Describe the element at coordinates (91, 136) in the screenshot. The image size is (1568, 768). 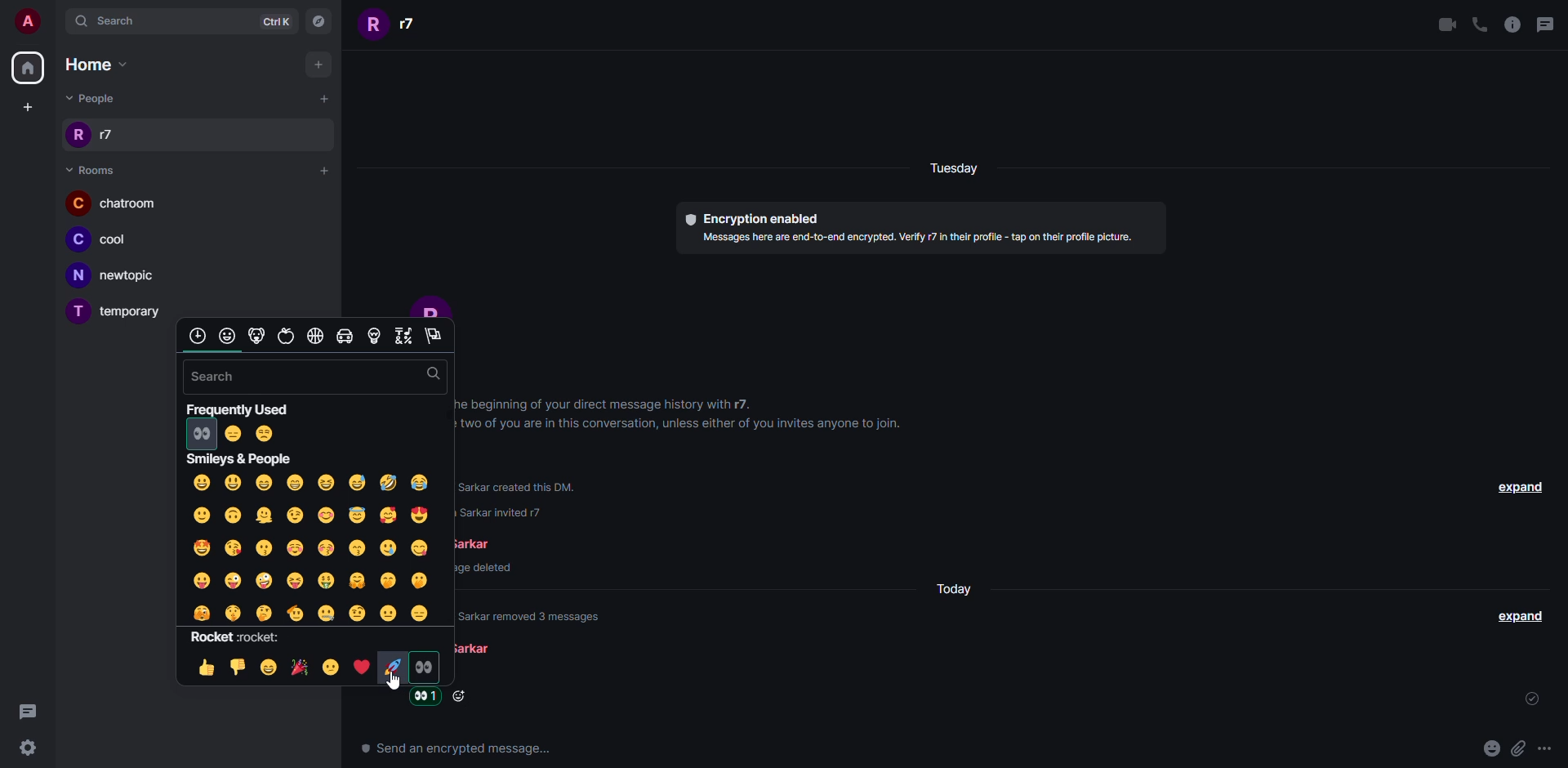
I see `people` at that location.